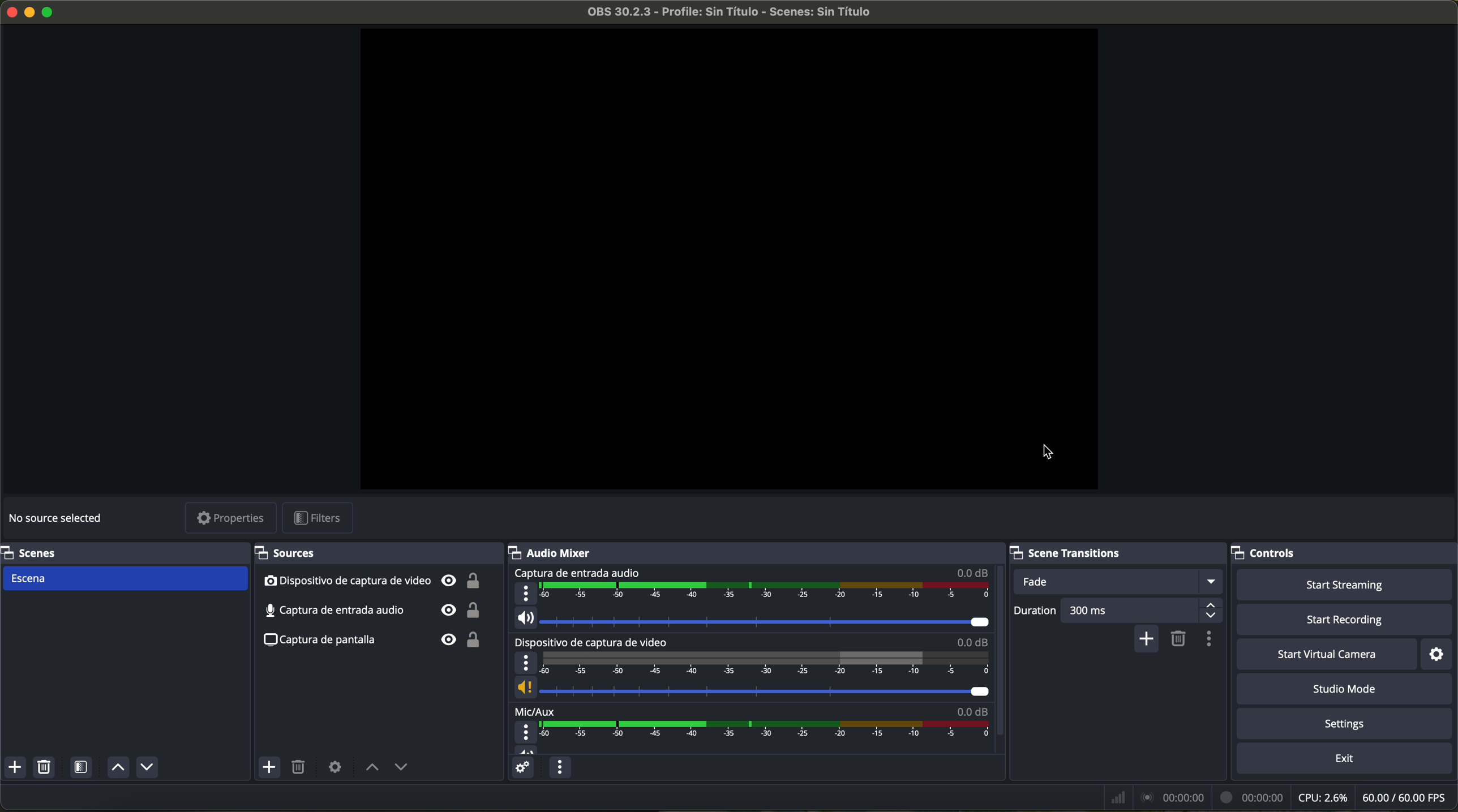  I want to click on transition properties, so click(1208, 641).